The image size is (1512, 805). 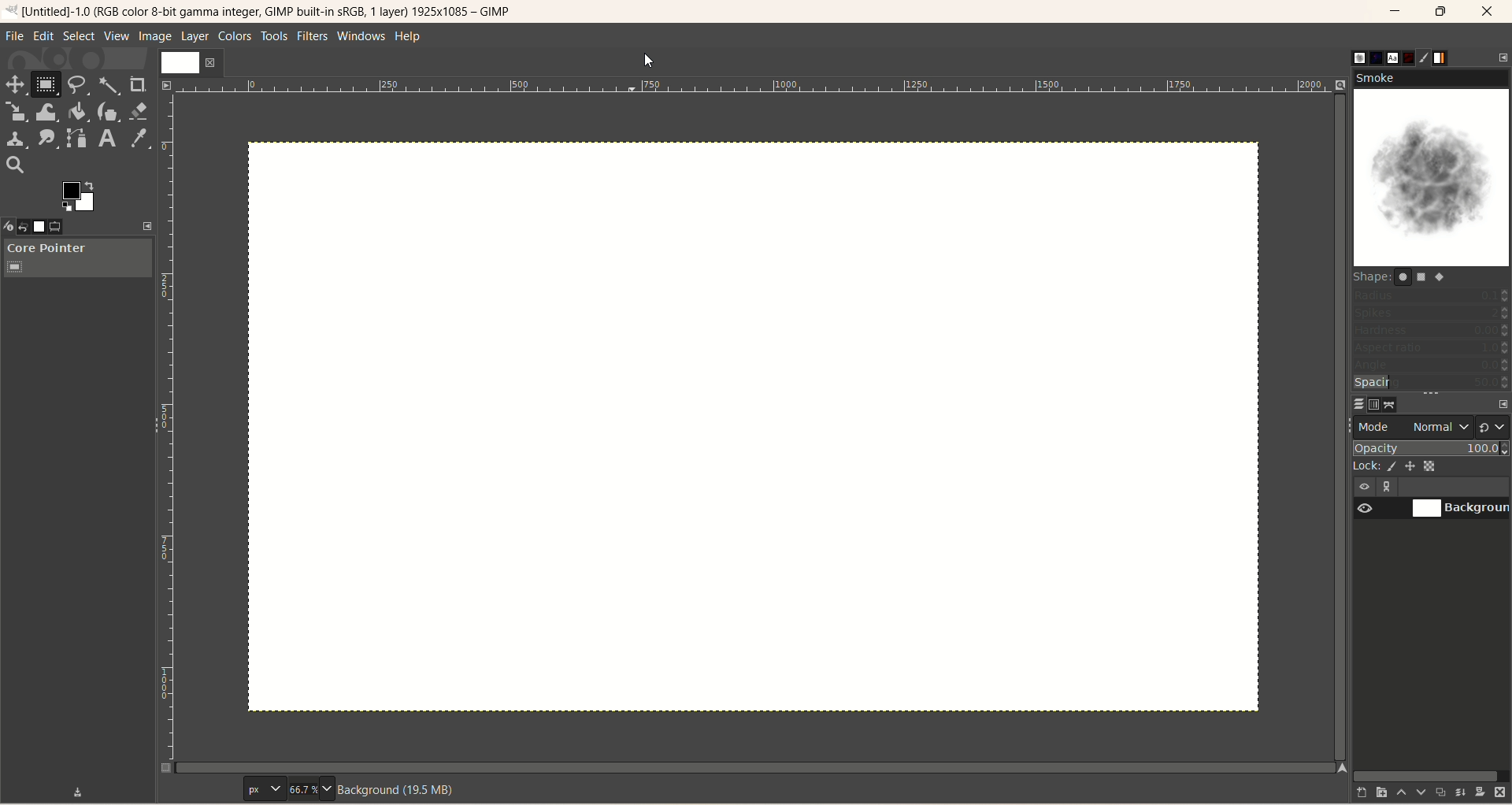 What do you see at coordinates (28, 227) in the screenshot?
I see `undo history` at bounding box center [28, 227].